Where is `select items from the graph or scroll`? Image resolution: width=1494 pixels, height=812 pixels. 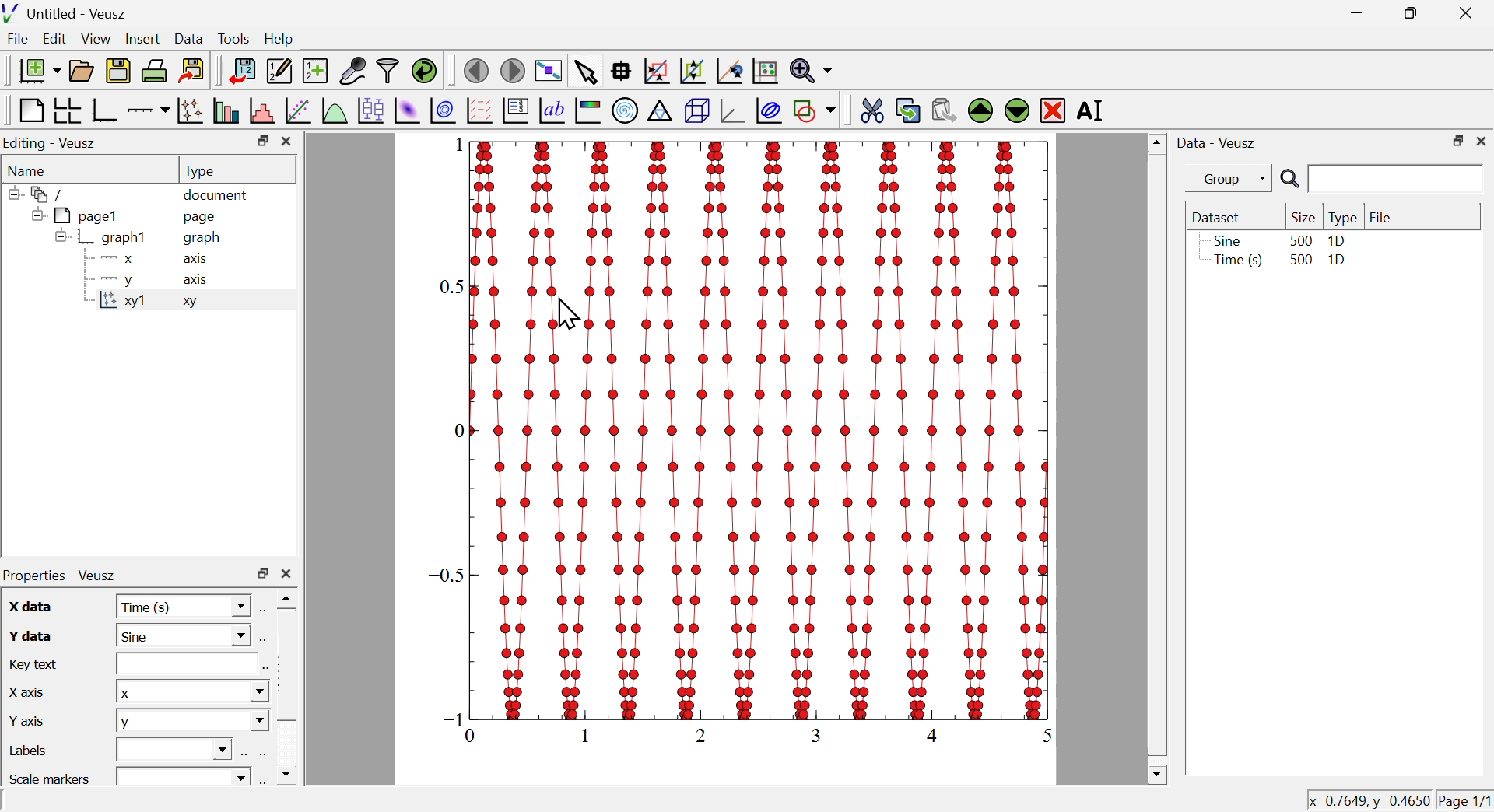
select items from the graph or scroll is located at coordinates (585, 71).